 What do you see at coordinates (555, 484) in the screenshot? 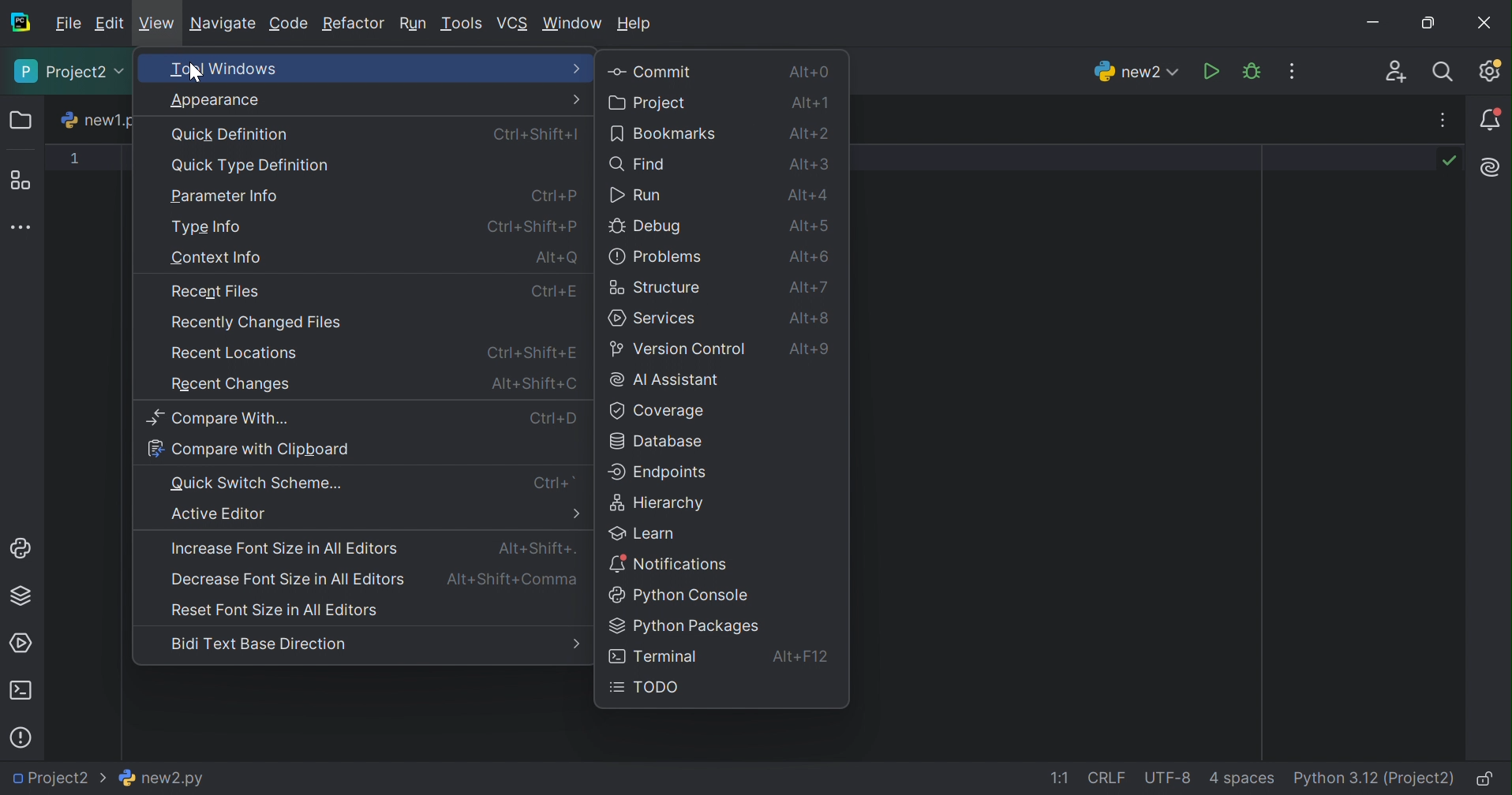
I see `Ctrl+`` at bounding box center [555, 484].